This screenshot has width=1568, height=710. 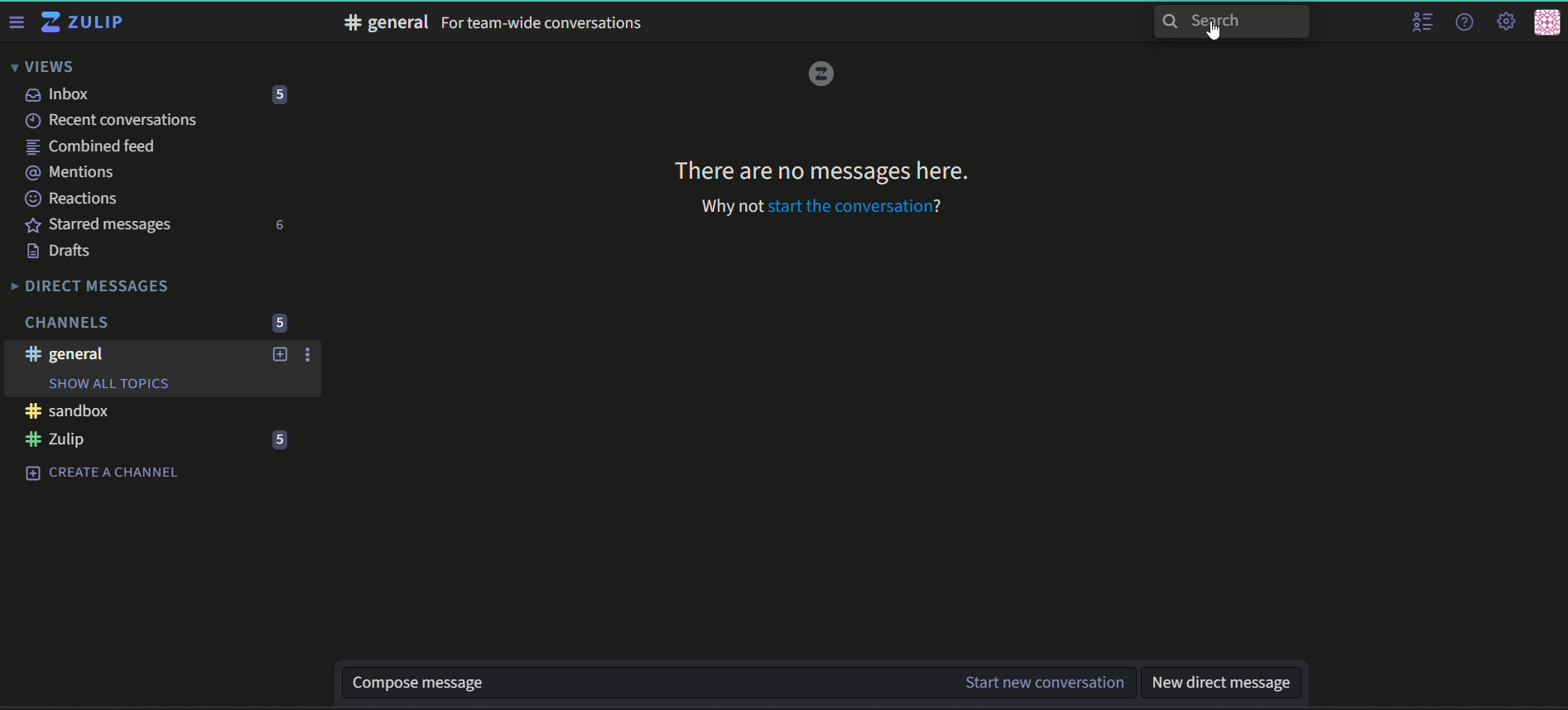 What do you see at coordinates (111, 119) in the screenshot?
I see `recent conversations` at bounding box center [111, 119].